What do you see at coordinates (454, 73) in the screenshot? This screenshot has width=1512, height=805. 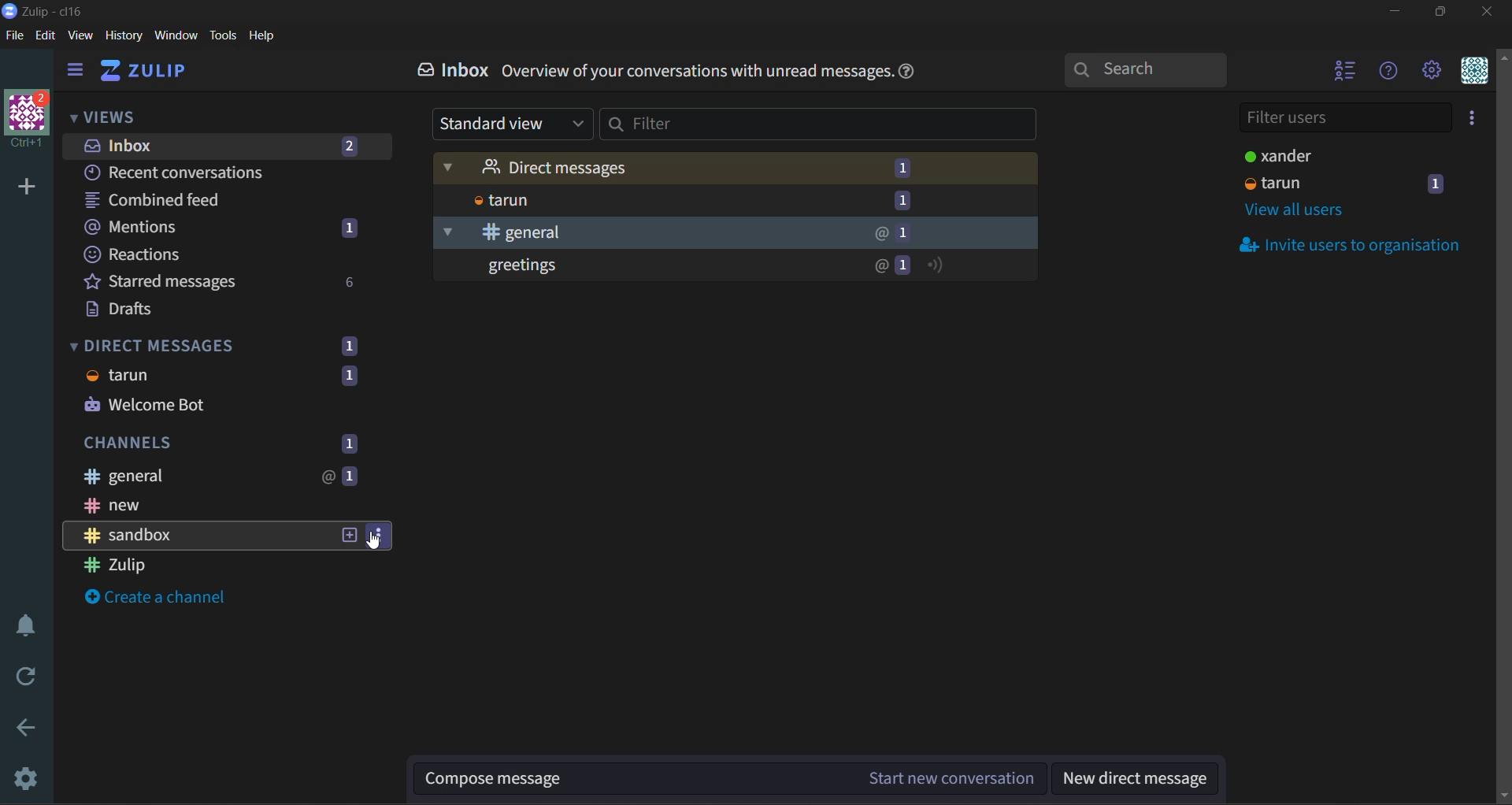 I see `inbox` at bounding box center [454, 73].